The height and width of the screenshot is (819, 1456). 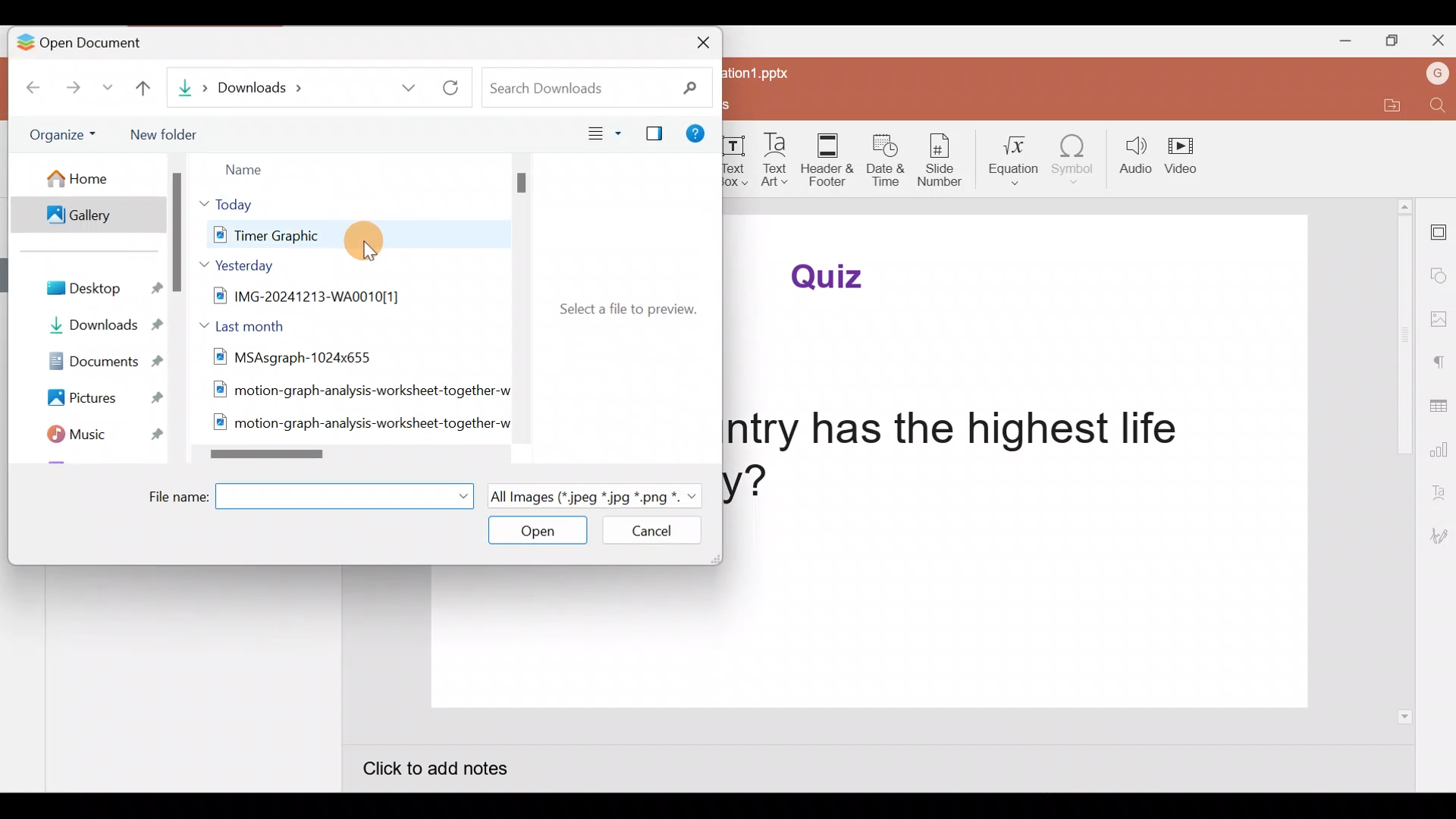 What do you see at coordinates (1019, 160) in the screenshot?
I see `Equation` at bounding box center [1019, 160].